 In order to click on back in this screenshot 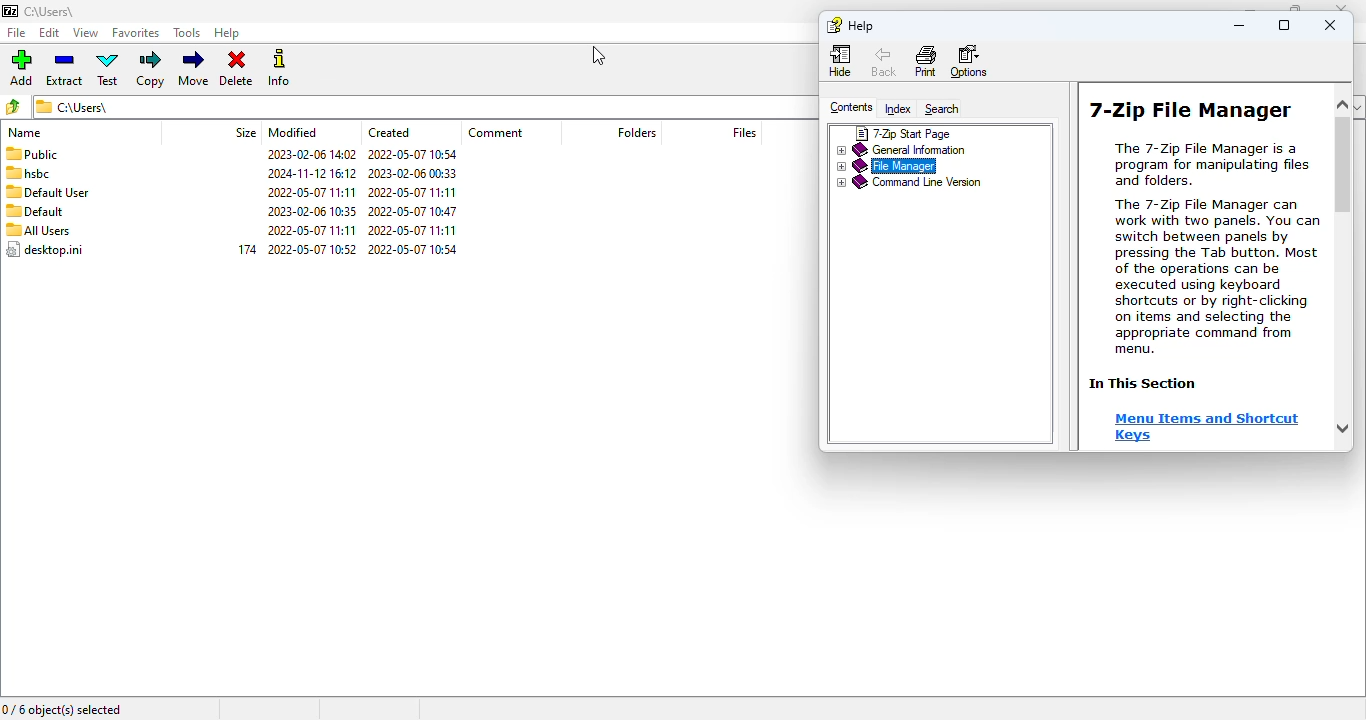, I will do `click(884, 60)`.